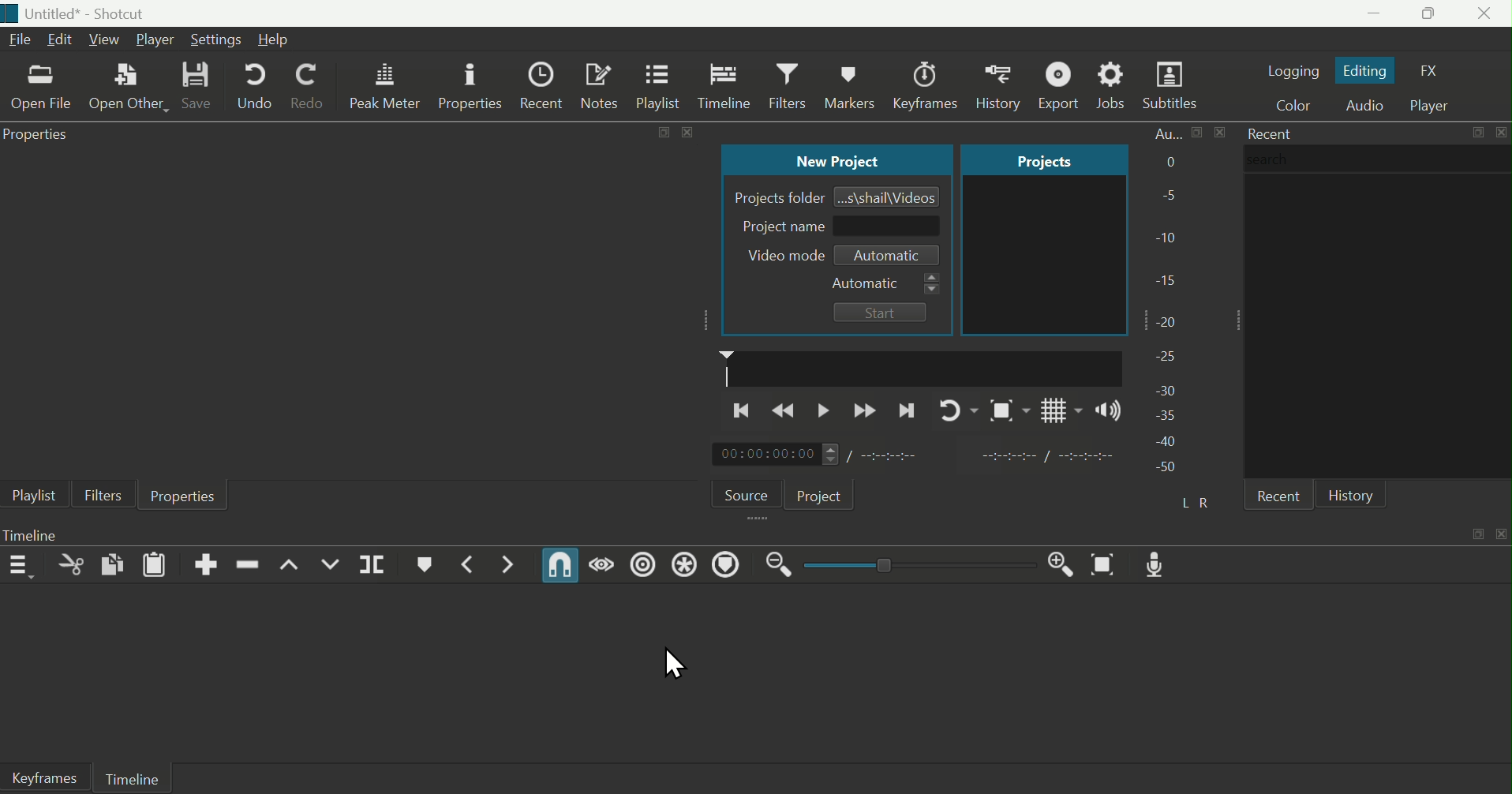 Image resolution: width=1512 pixels, height=794 pixels. What do you see at coordinates (1354, 493) in the screenshot?
I see `History` at bounding box center [1354, 493].